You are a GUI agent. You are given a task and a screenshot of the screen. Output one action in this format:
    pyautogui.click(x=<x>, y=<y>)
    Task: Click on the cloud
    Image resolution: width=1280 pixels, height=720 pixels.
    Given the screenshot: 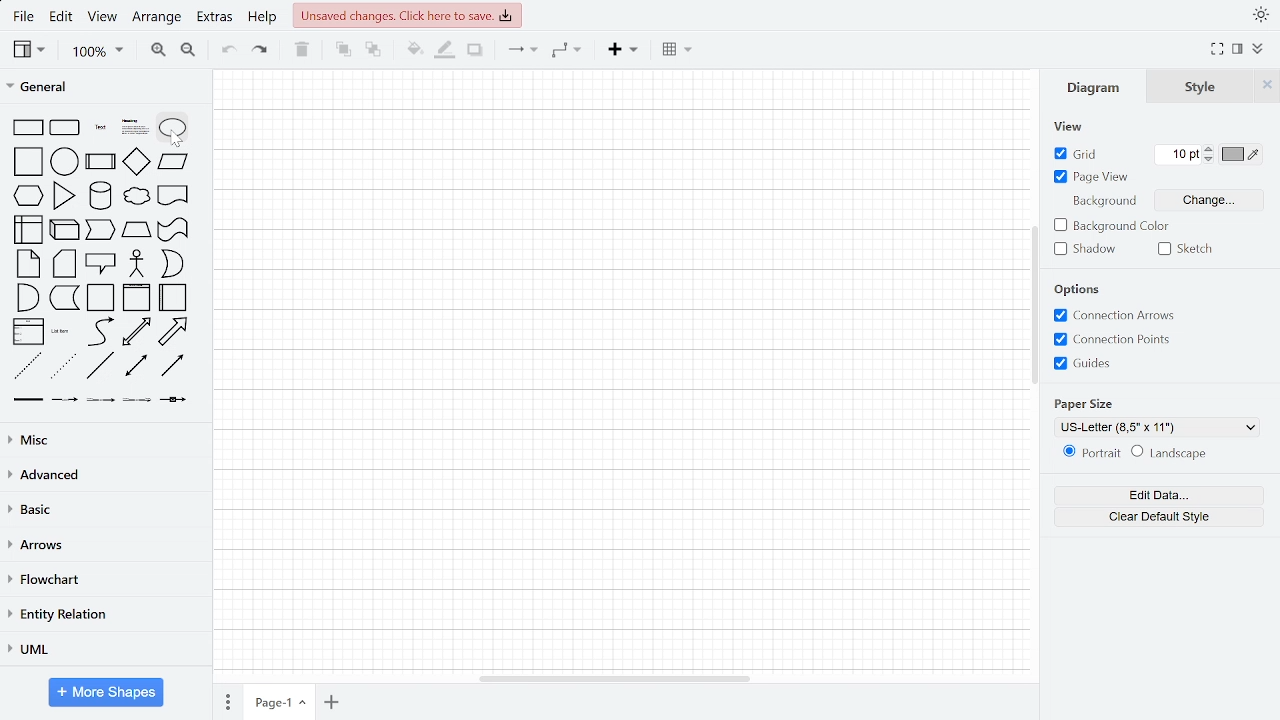 What is the action you would take?
    pyautogui.click(x=137, y=197)
    